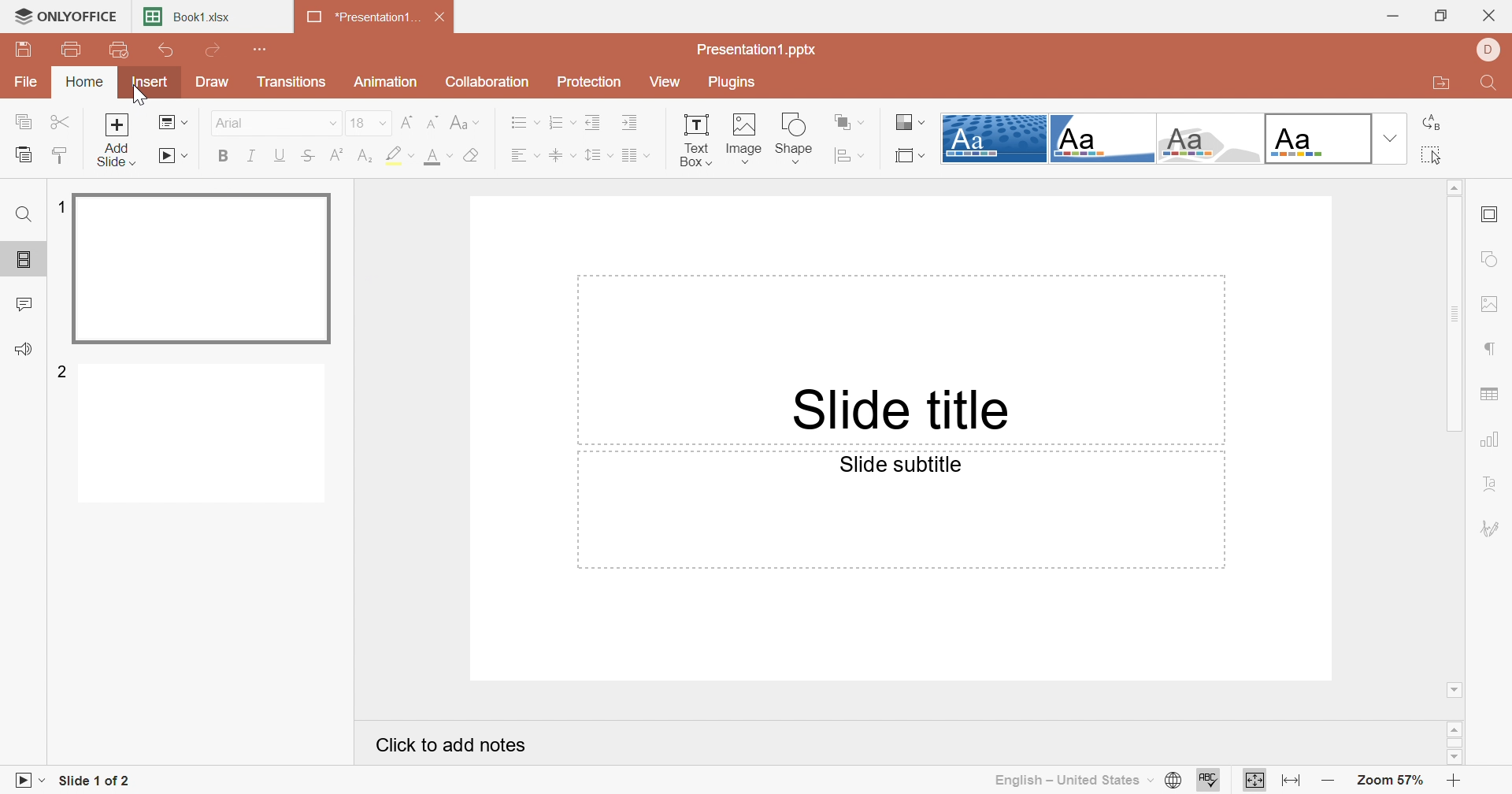 The height and width of the screenshot is (794, 1512). What do you see at coordinates (354, 122) in the screenshot?
I see `18` at bounding box center [354, 122].